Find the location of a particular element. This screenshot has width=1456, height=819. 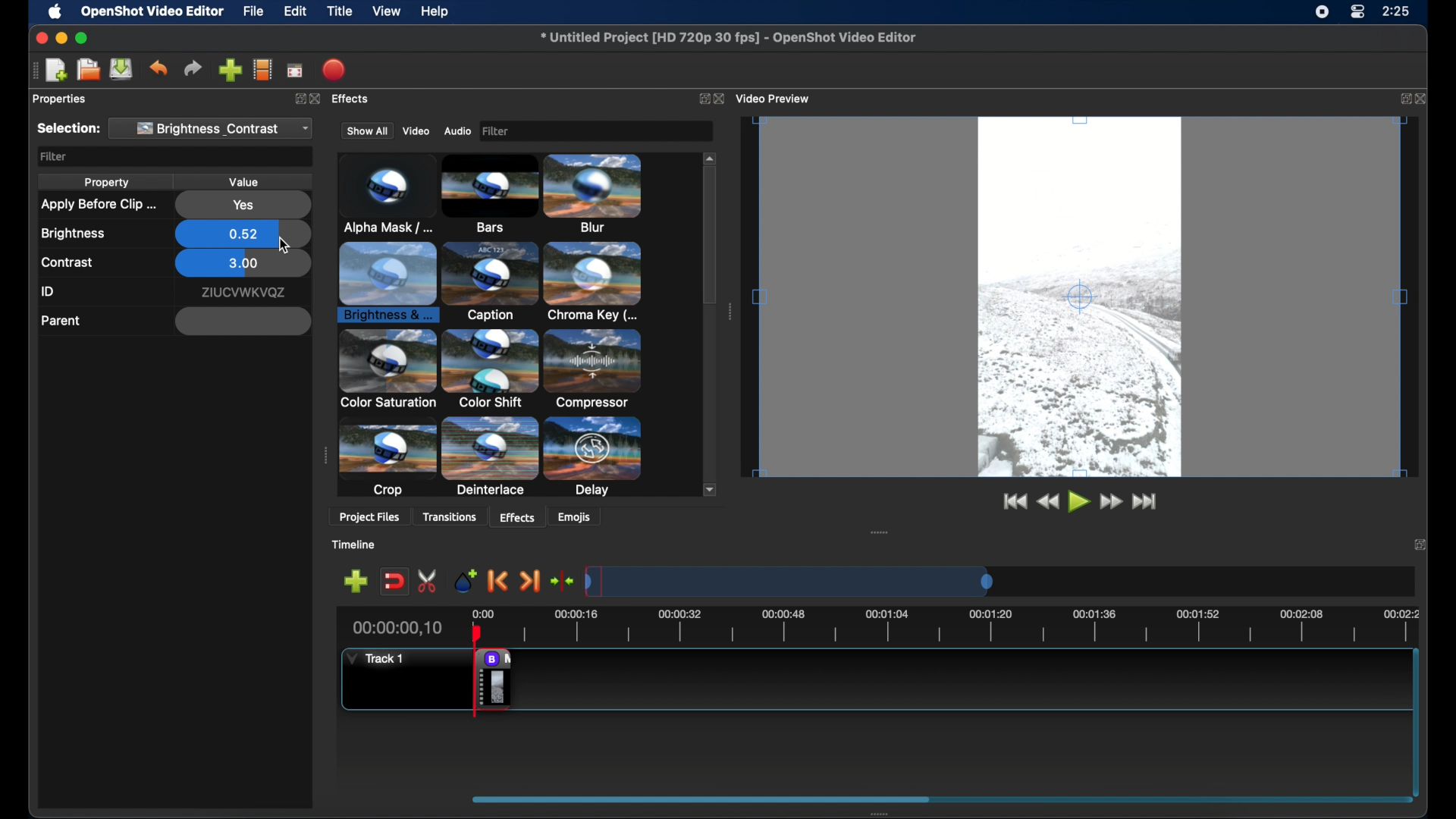

expander is located at coordinates (491, 460).